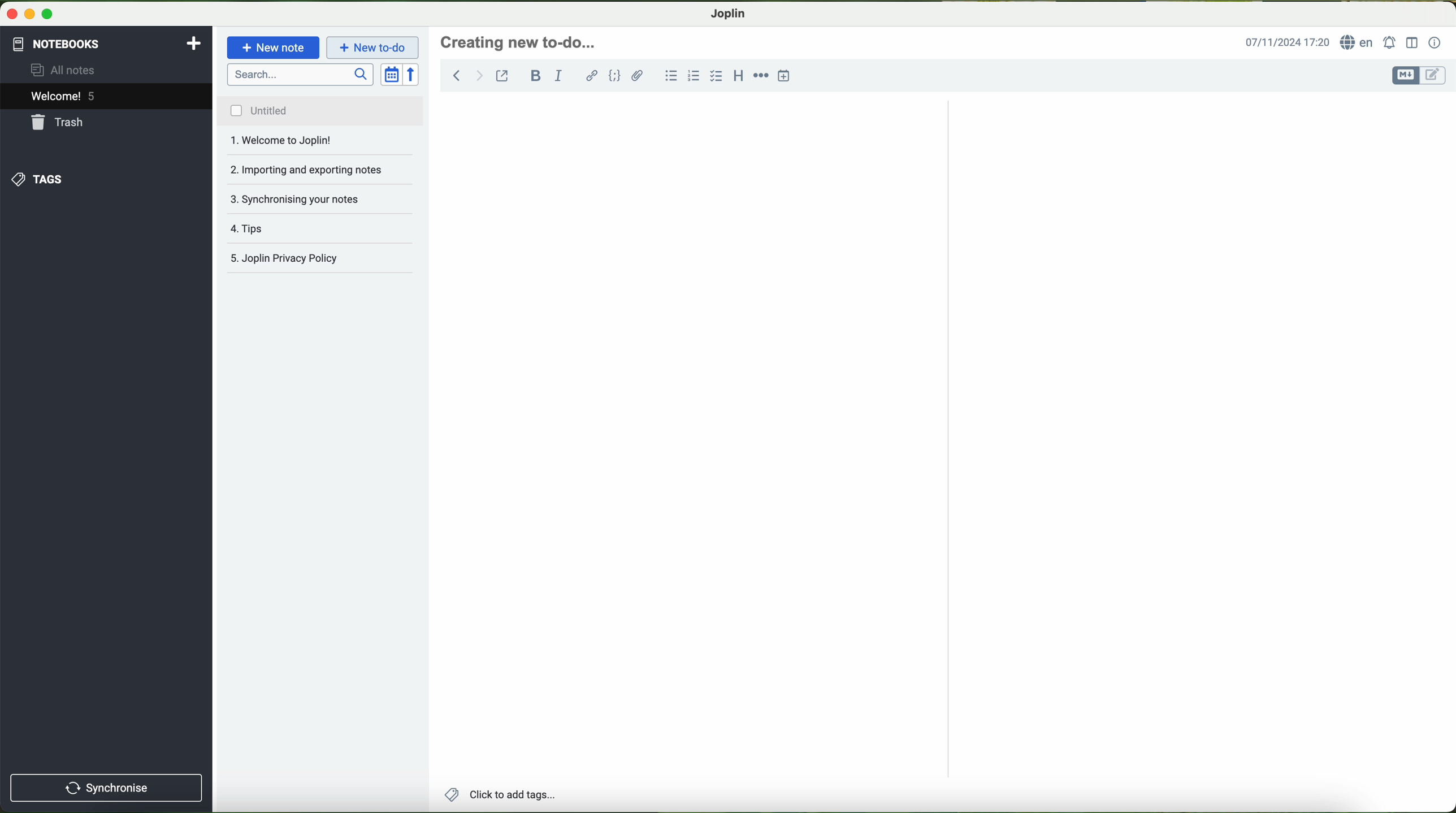 This screenshot has width=1456, height=813. Describe the element at coordinates (314, 260) in the screenshot. I see `joplin privacy policy` at that location.